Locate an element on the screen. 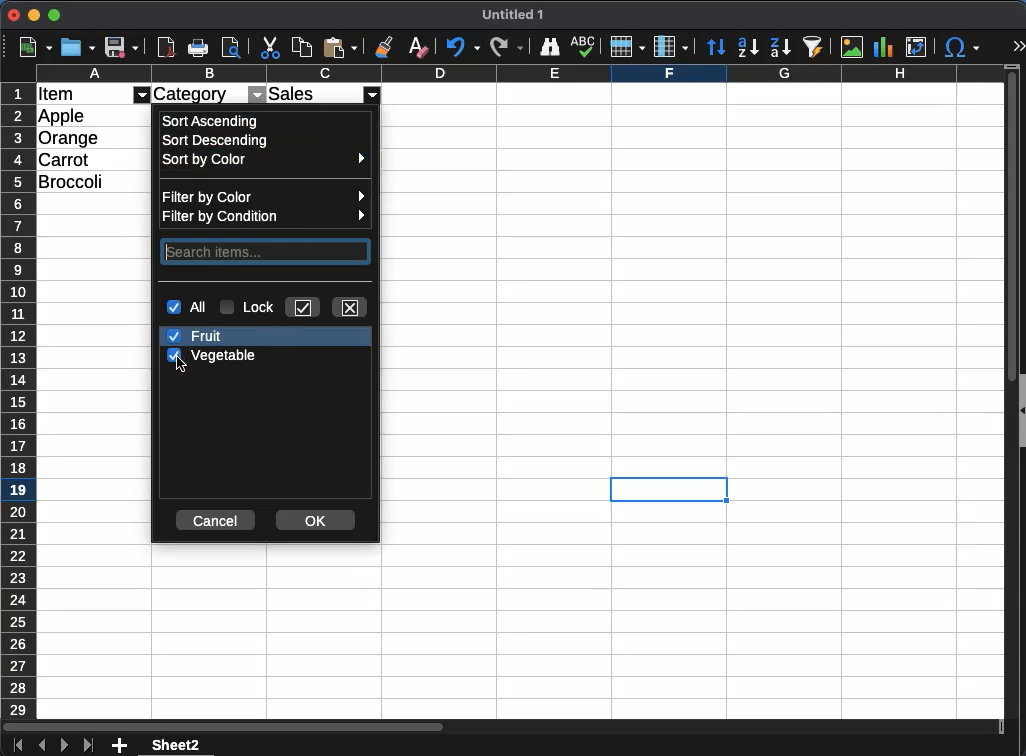 The width and height of the screenshot is (1026, 756). broccoli is located at coordinates (75, 180).